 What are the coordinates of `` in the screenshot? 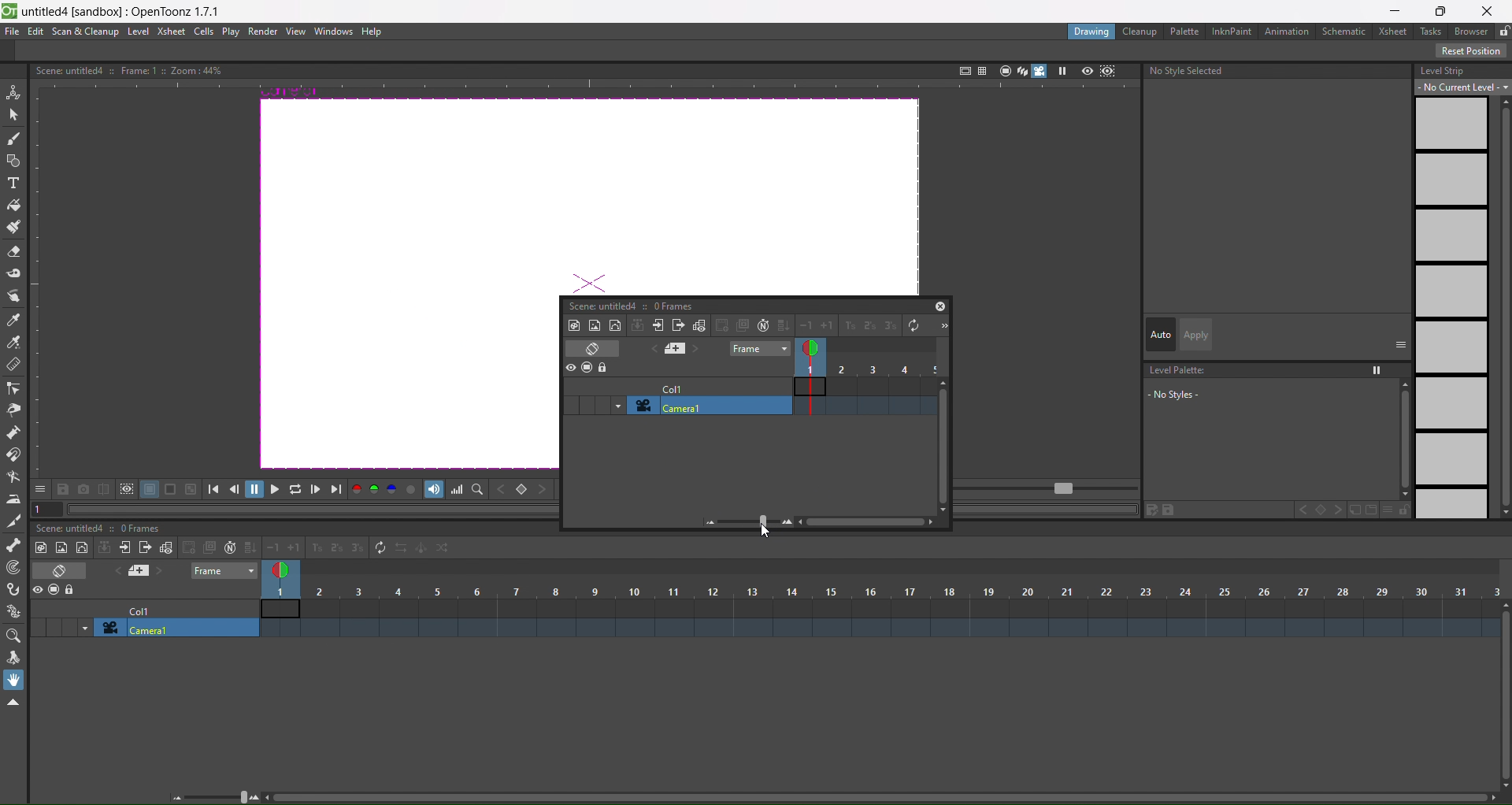 It's located at (743, 325).